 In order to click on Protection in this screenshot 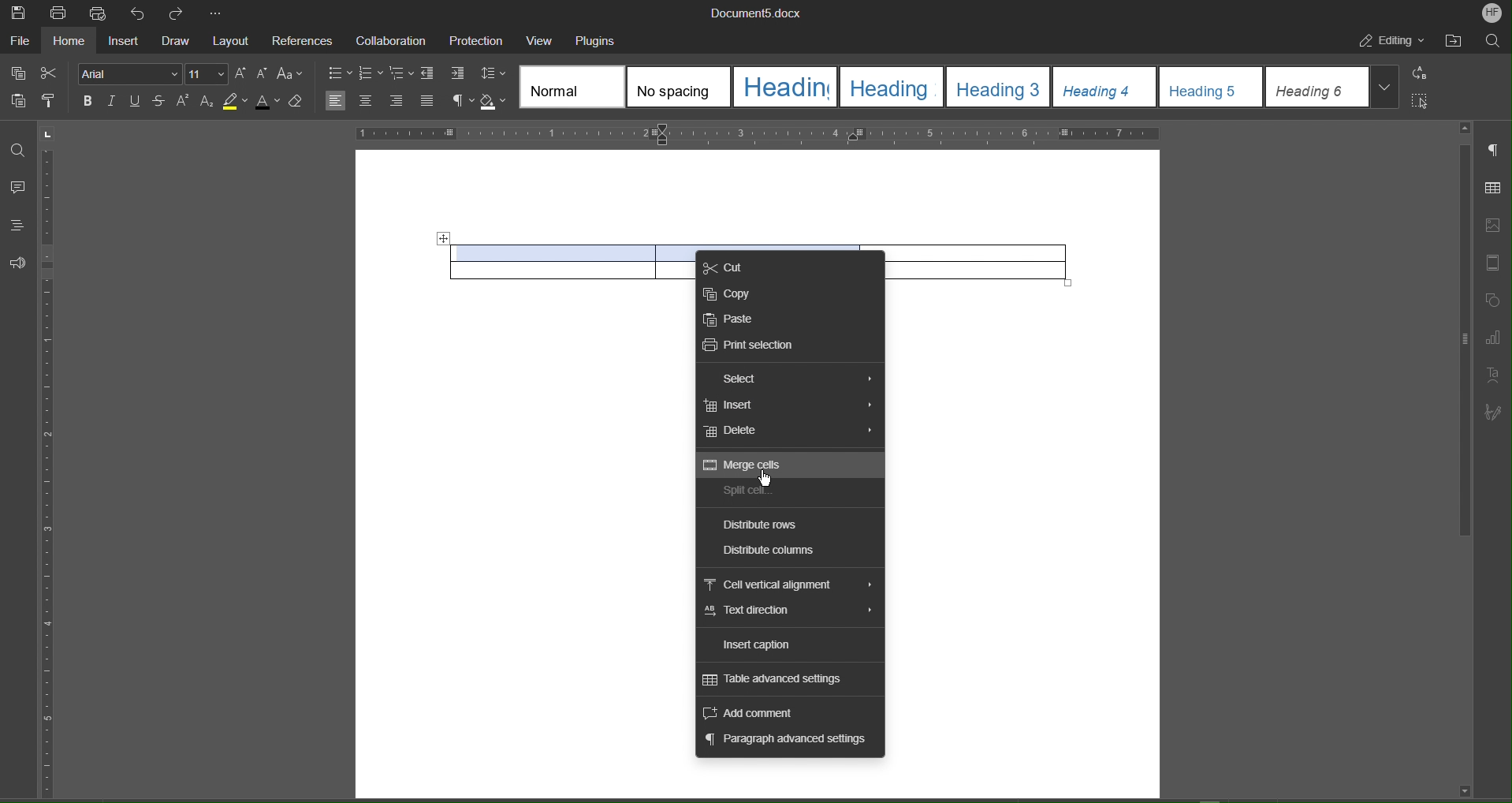, I will do `click(477, 41)`.